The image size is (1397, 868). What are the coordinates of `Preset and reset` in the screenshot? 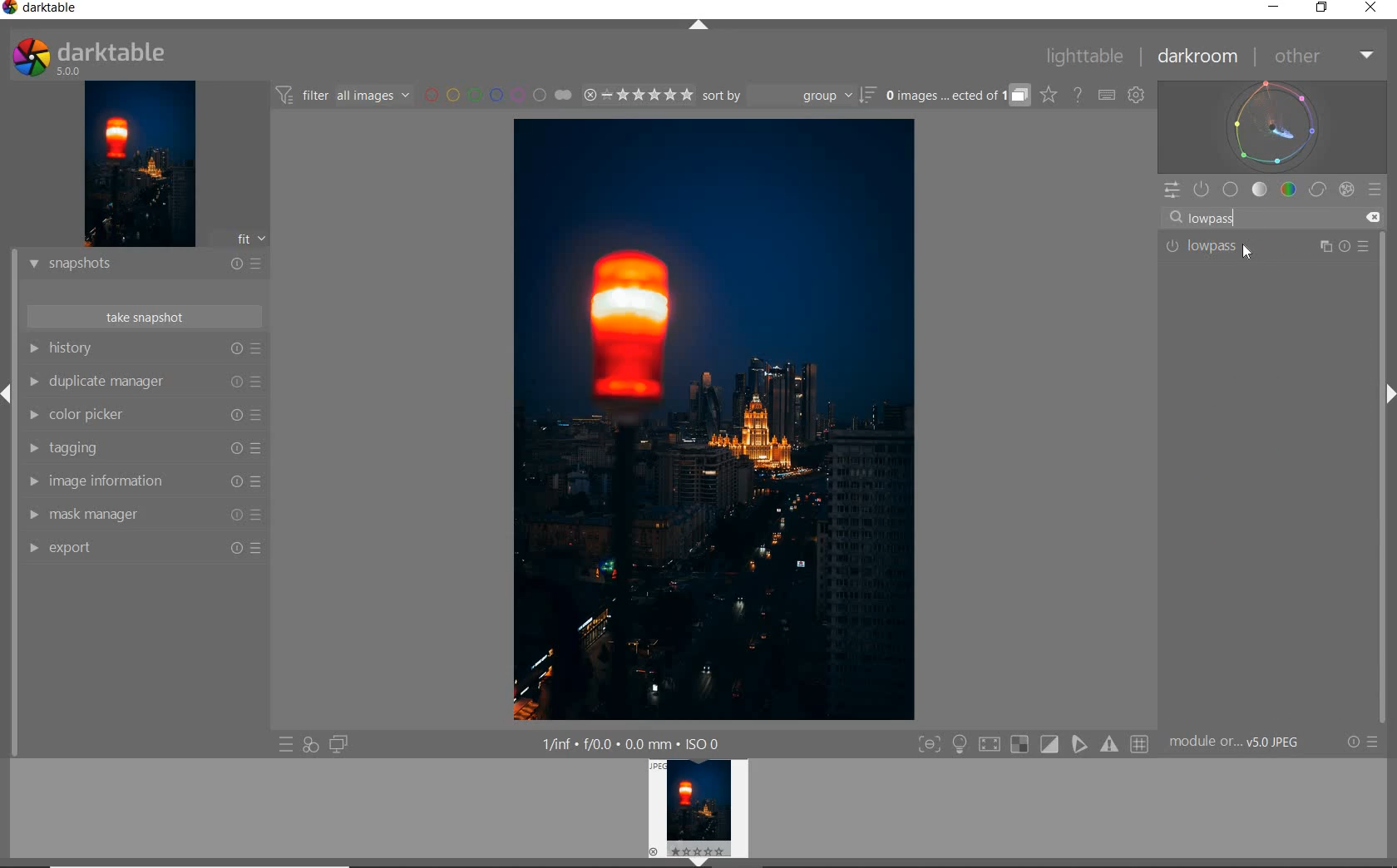 It's located at (265, 547).